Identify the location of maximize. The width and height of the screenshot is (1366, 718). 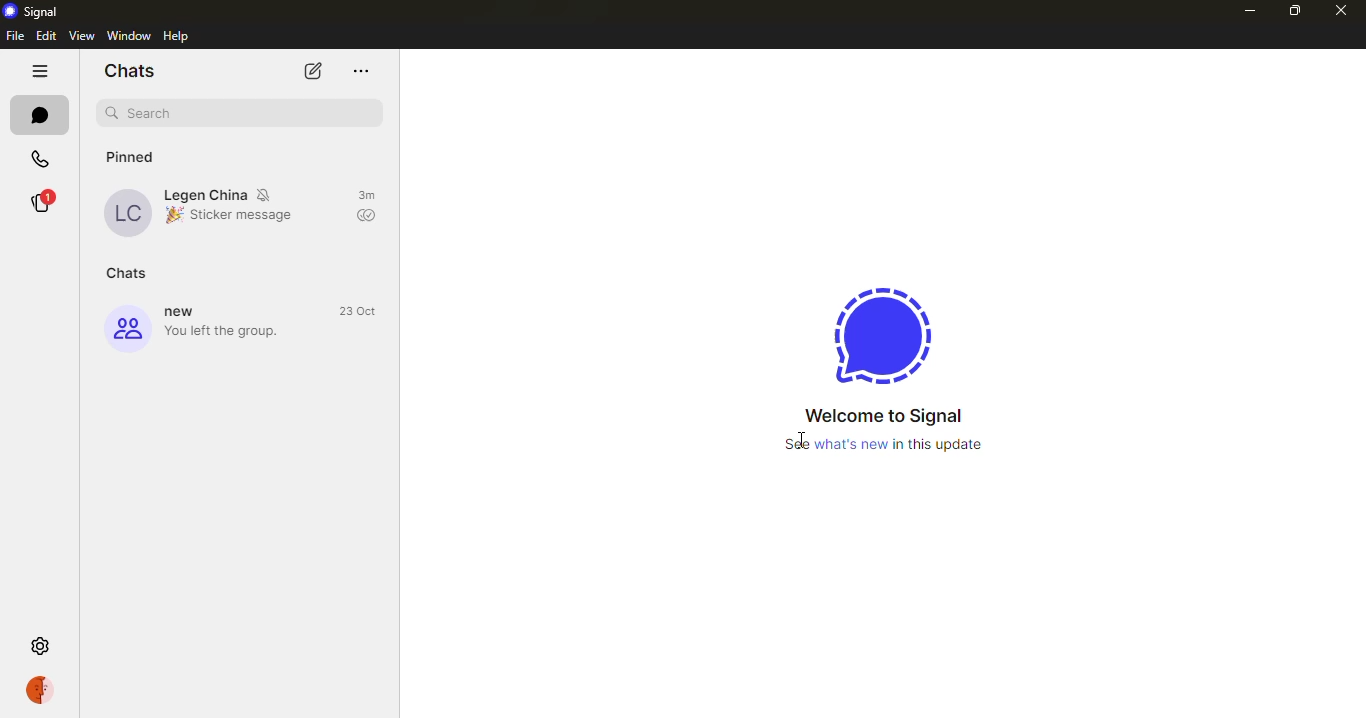
(1293, 12).